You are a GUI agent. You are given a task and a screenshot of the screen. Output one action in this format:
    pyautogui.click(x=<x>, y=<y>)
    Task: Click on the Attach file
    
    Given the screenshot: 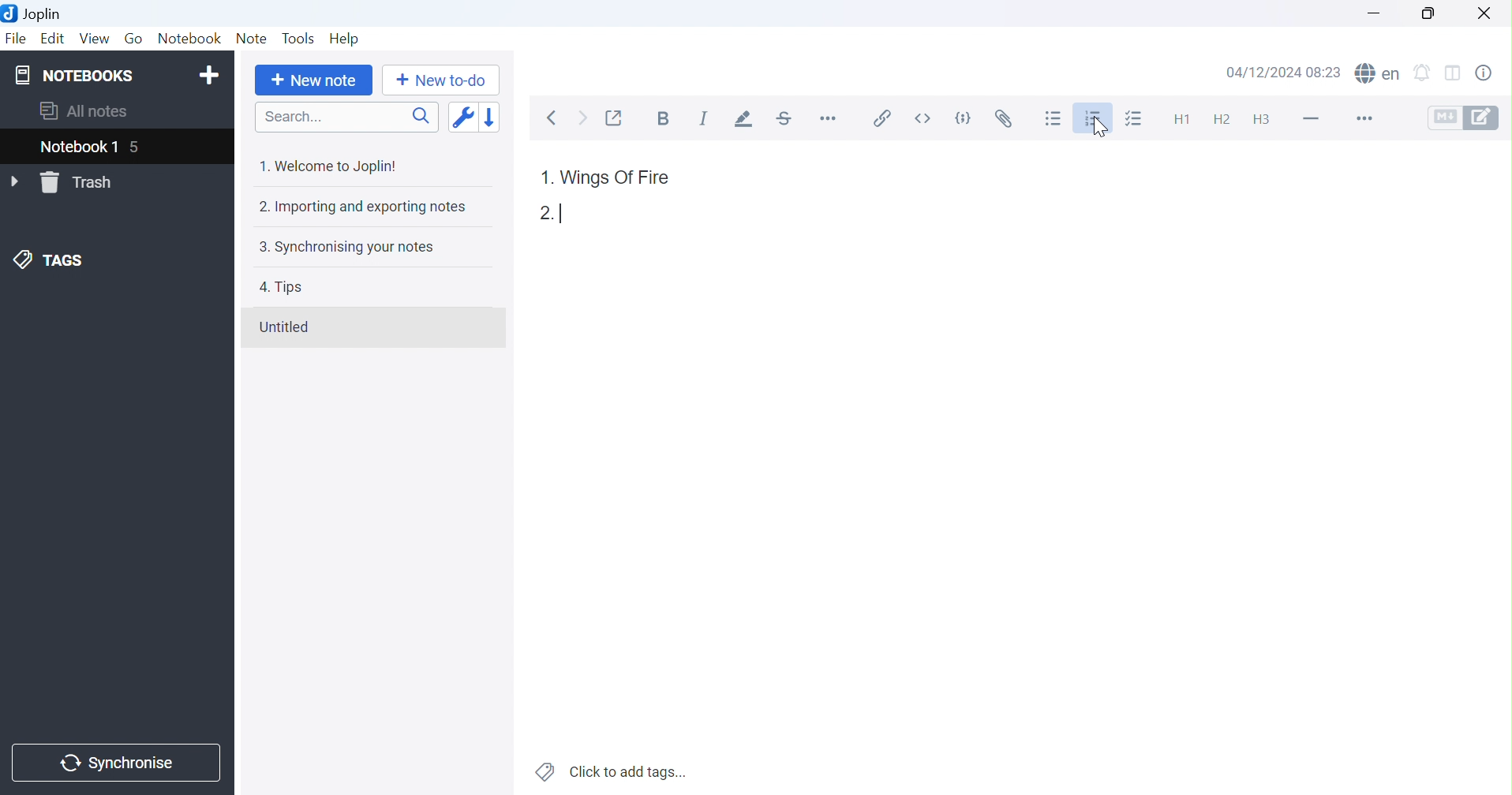 What is the action you would take?
    pyautogui.click(x=1003, y=119)
    